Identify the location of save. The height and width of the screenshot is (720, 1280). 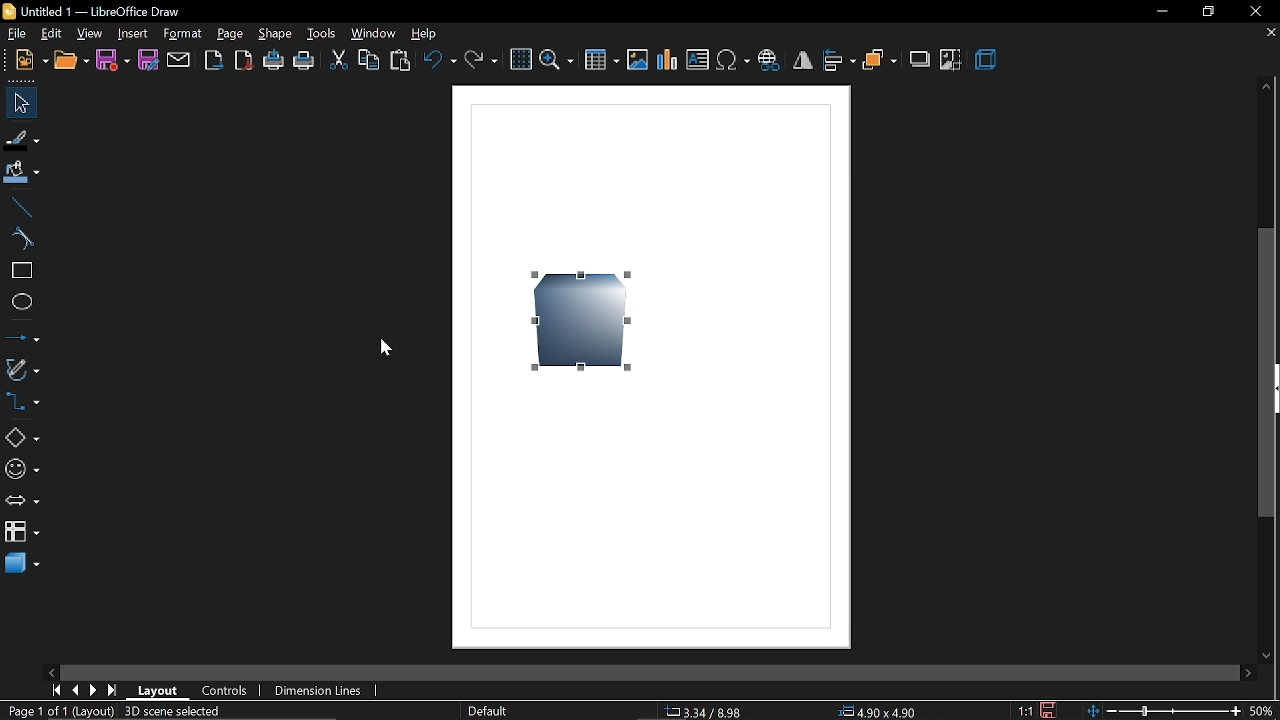
(114, 61).